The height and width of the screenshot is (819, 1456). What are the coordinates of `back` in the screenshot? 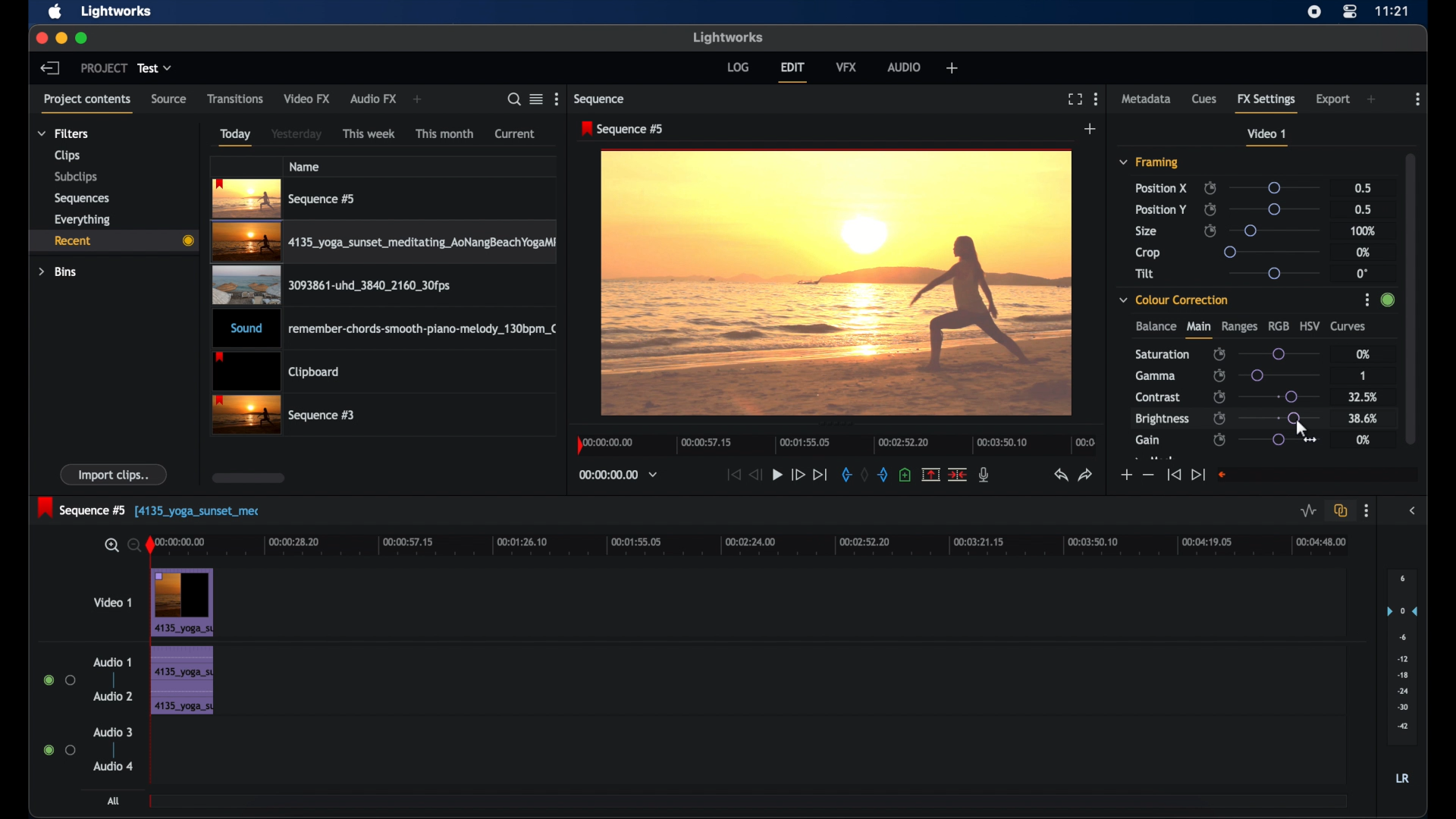 It's located at (49, 67).